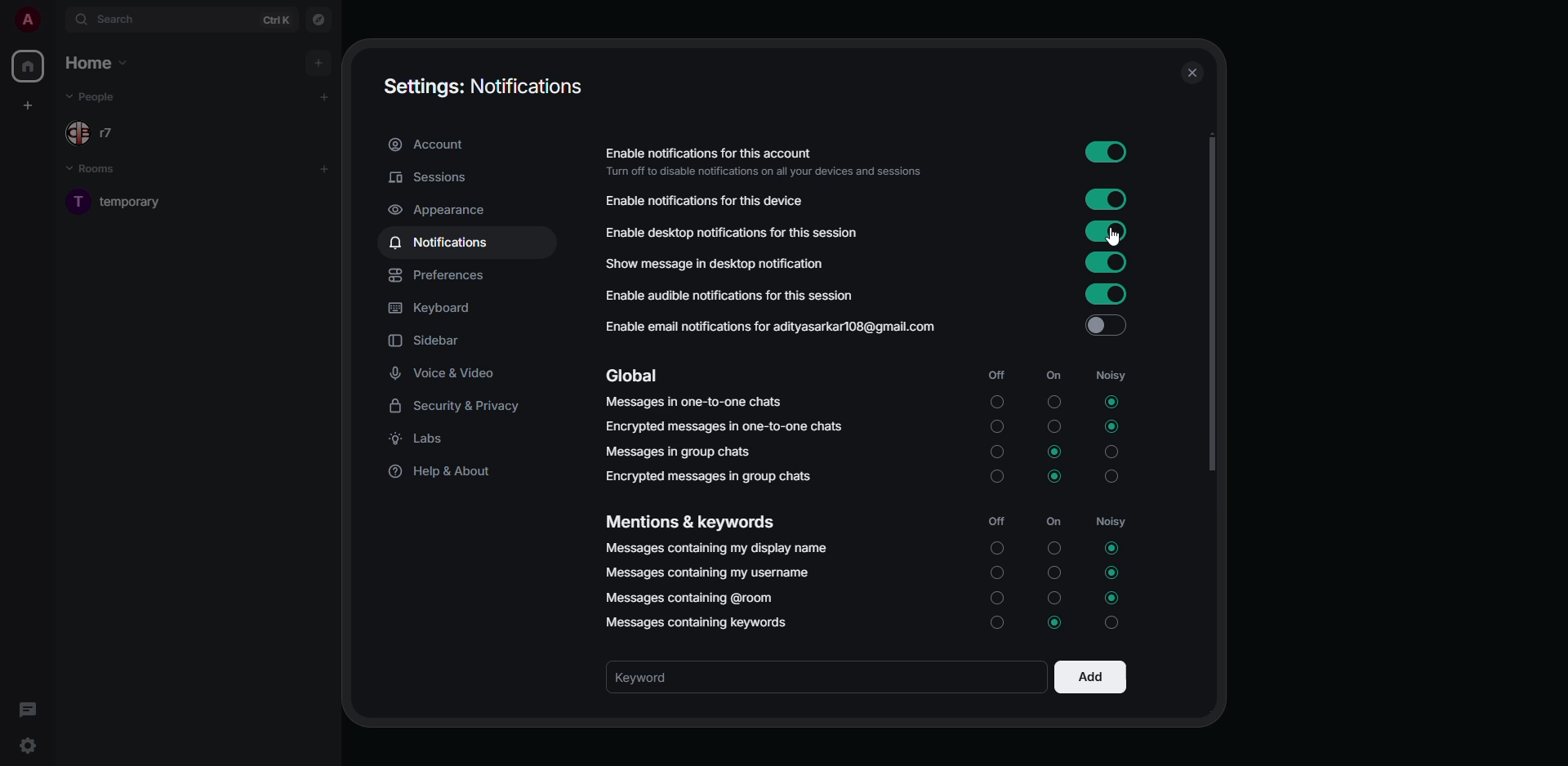  What do you see at coordinates (712, 200) in the screenshot?
I see `enable notifications for this device` at bounding box center [712, 200].